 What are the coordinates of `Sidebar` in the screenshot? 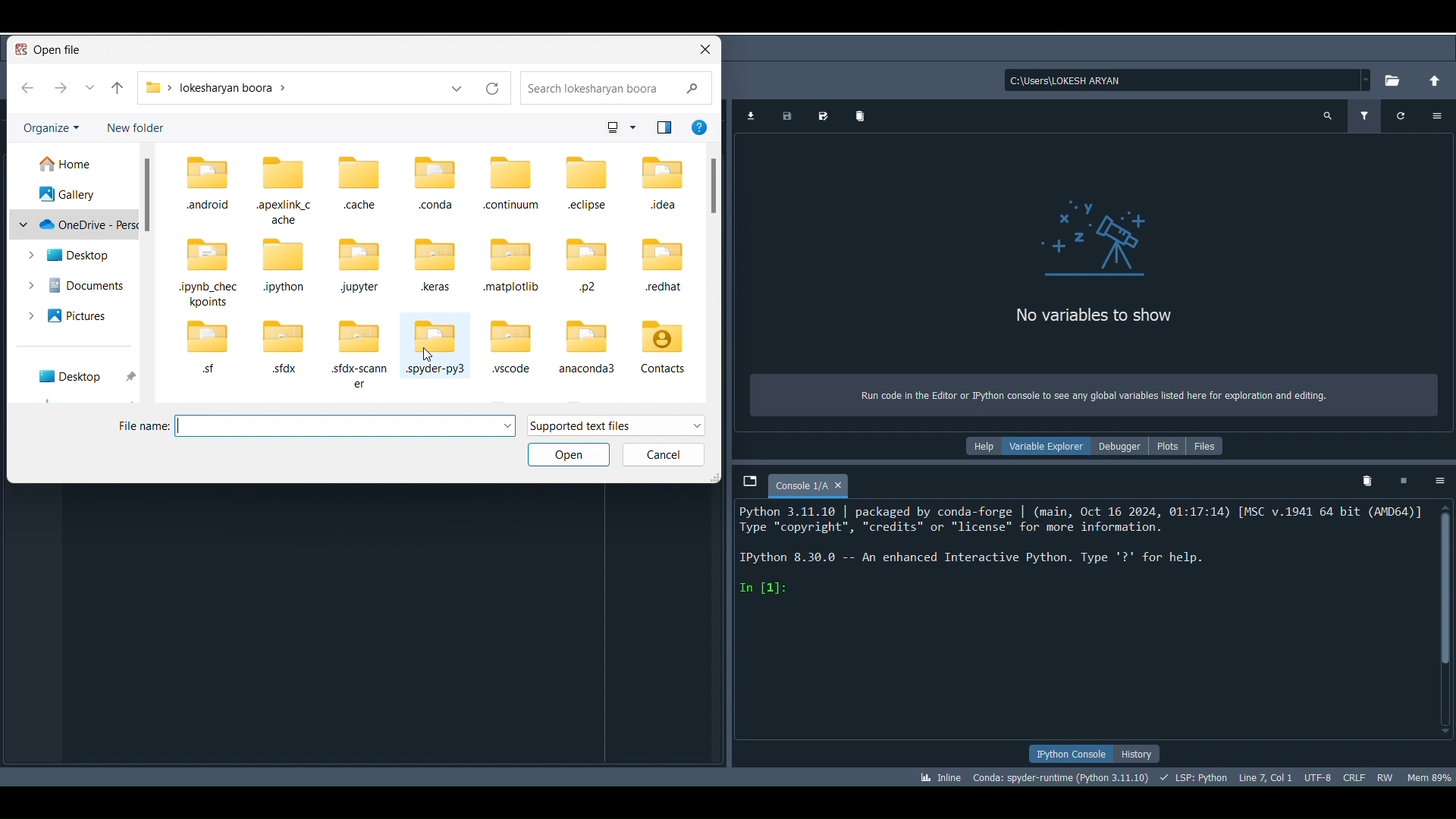 It's located at (711, 265).